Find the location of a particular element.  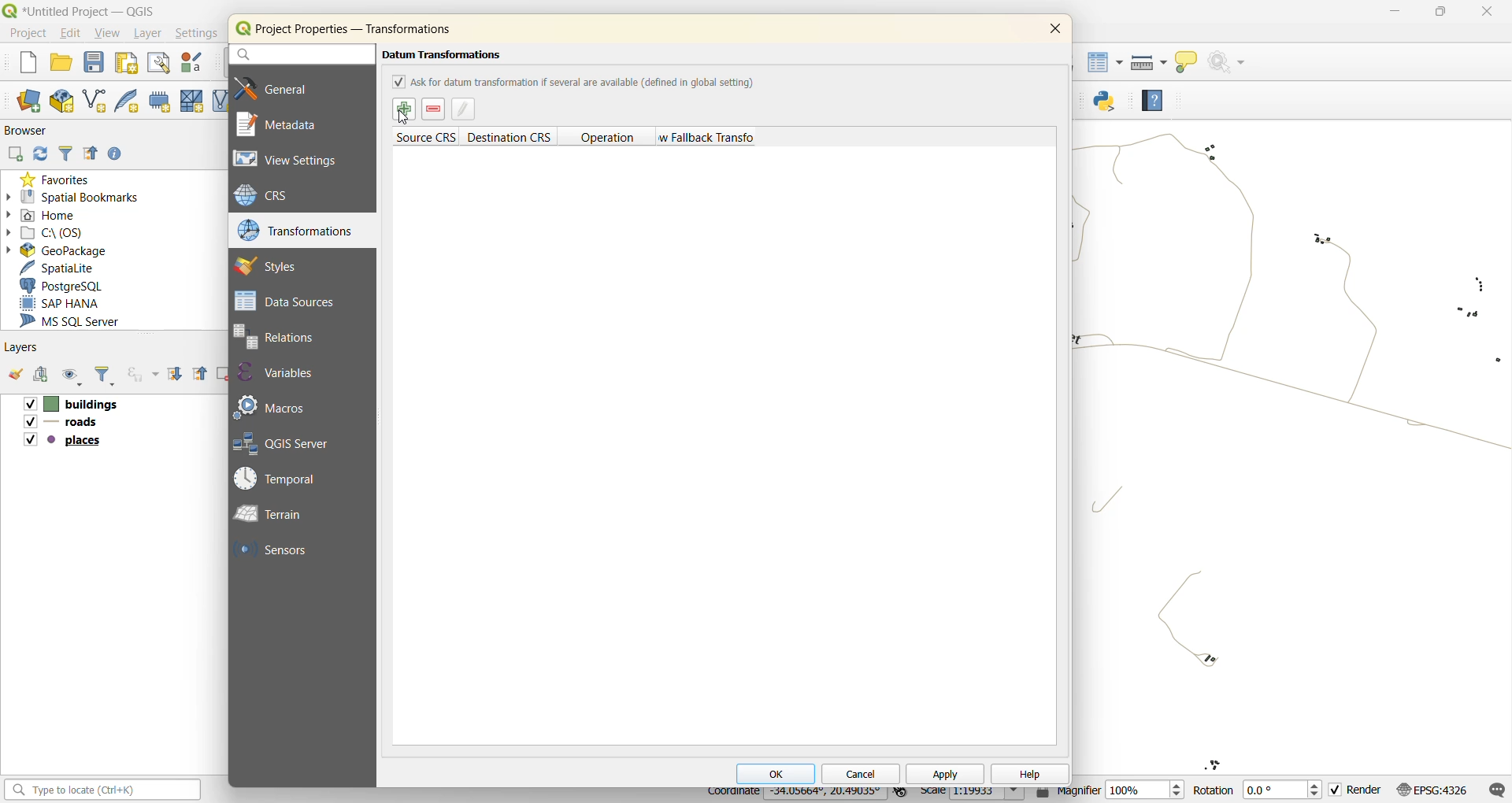

open is located at coordinates (63, 61).